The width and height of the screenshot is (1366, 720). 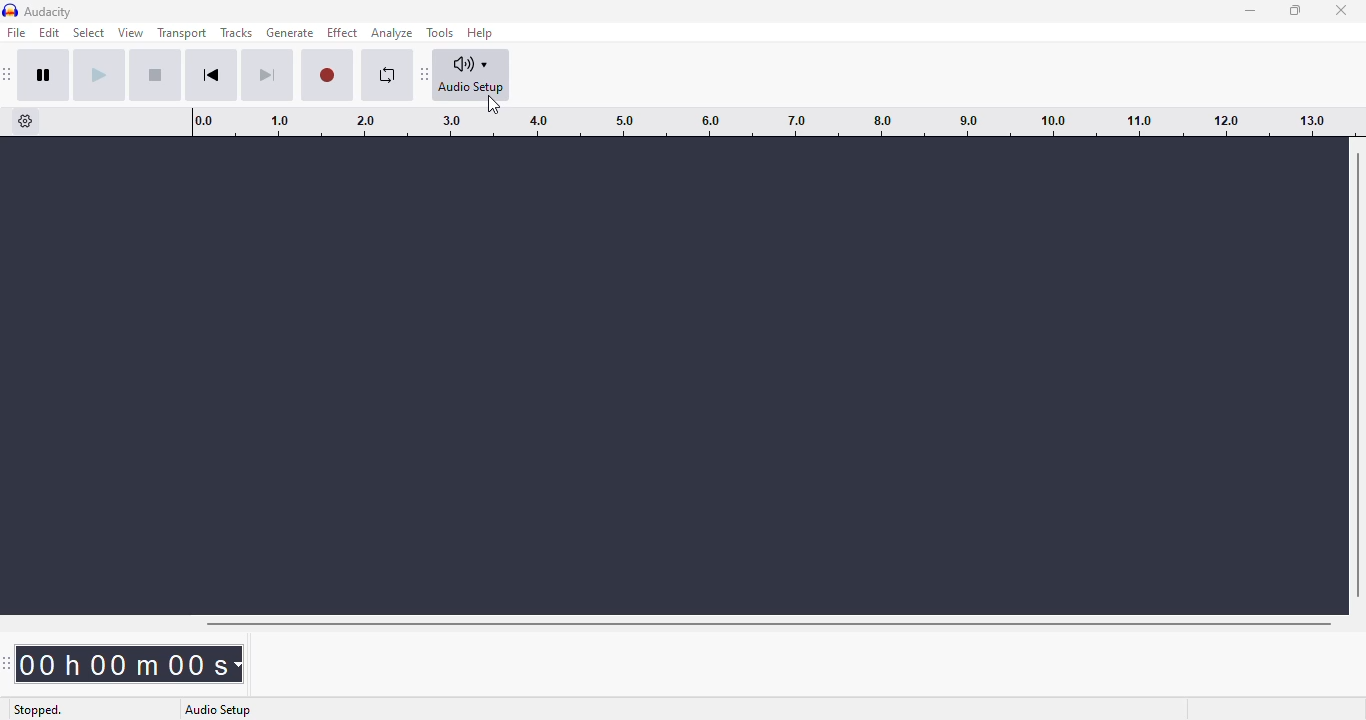 What do you see at coordinates (472, 75) in the screenshot?
I see `audio setup` at bounding box center [472, 75].